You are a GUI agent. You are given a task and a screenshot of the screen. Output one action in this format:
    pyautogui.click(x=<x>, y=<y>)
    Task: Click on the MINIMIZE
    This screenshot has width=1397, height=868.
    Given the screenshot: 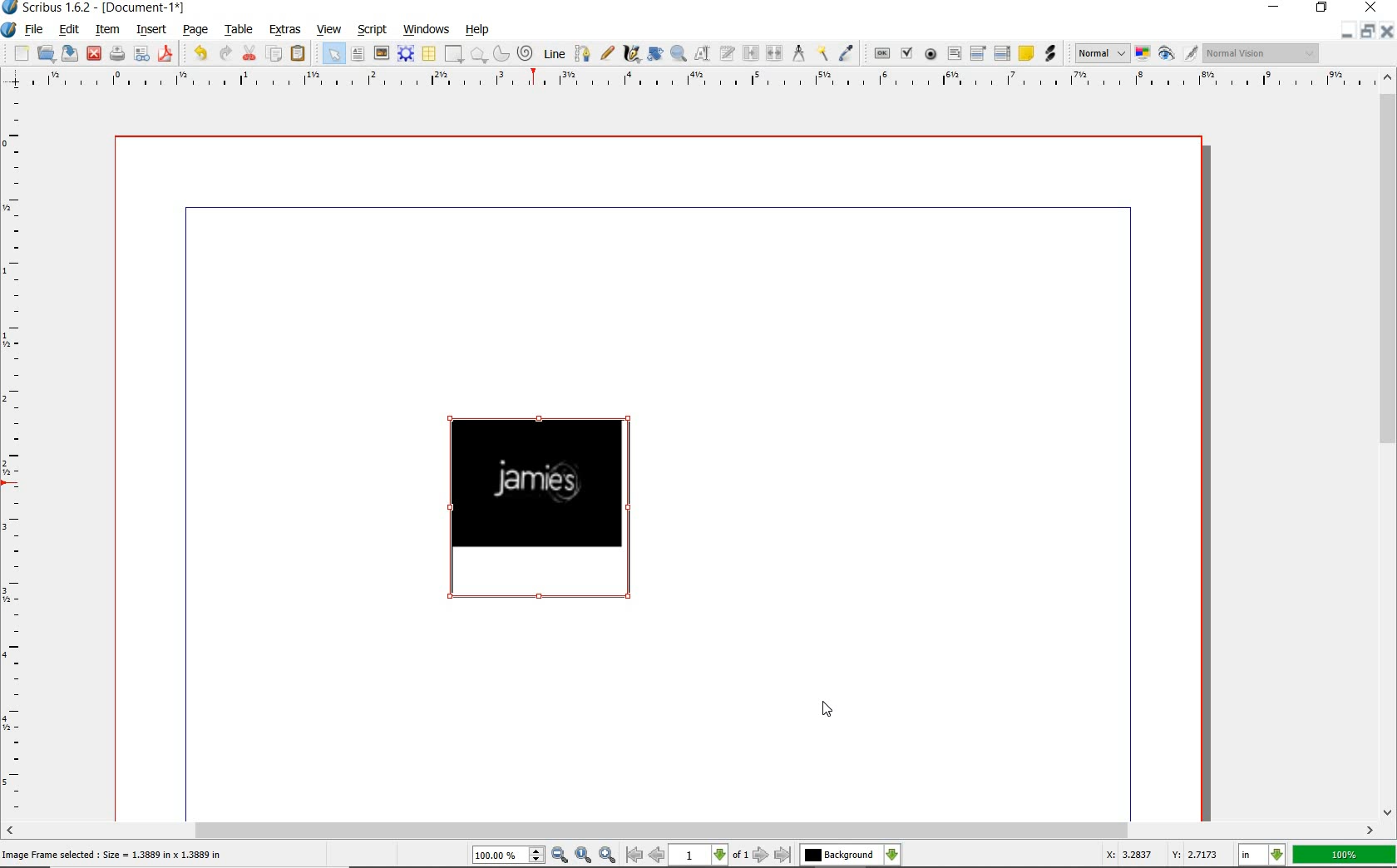 What is the action you would take?
    pyautogui.click(x=1348, y=32)
    